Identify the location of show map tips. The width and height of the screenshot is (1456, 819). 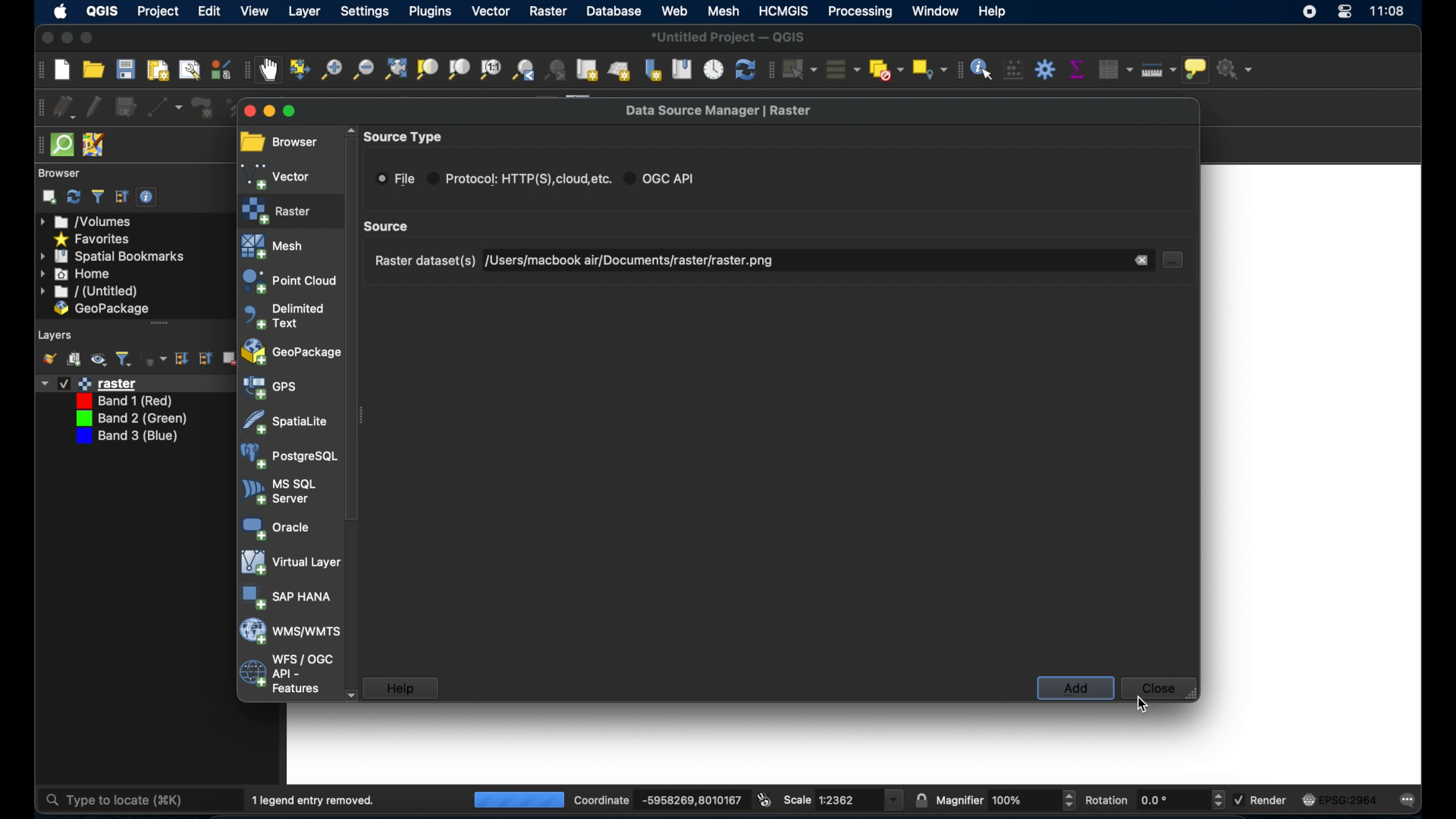
(1197, 71).